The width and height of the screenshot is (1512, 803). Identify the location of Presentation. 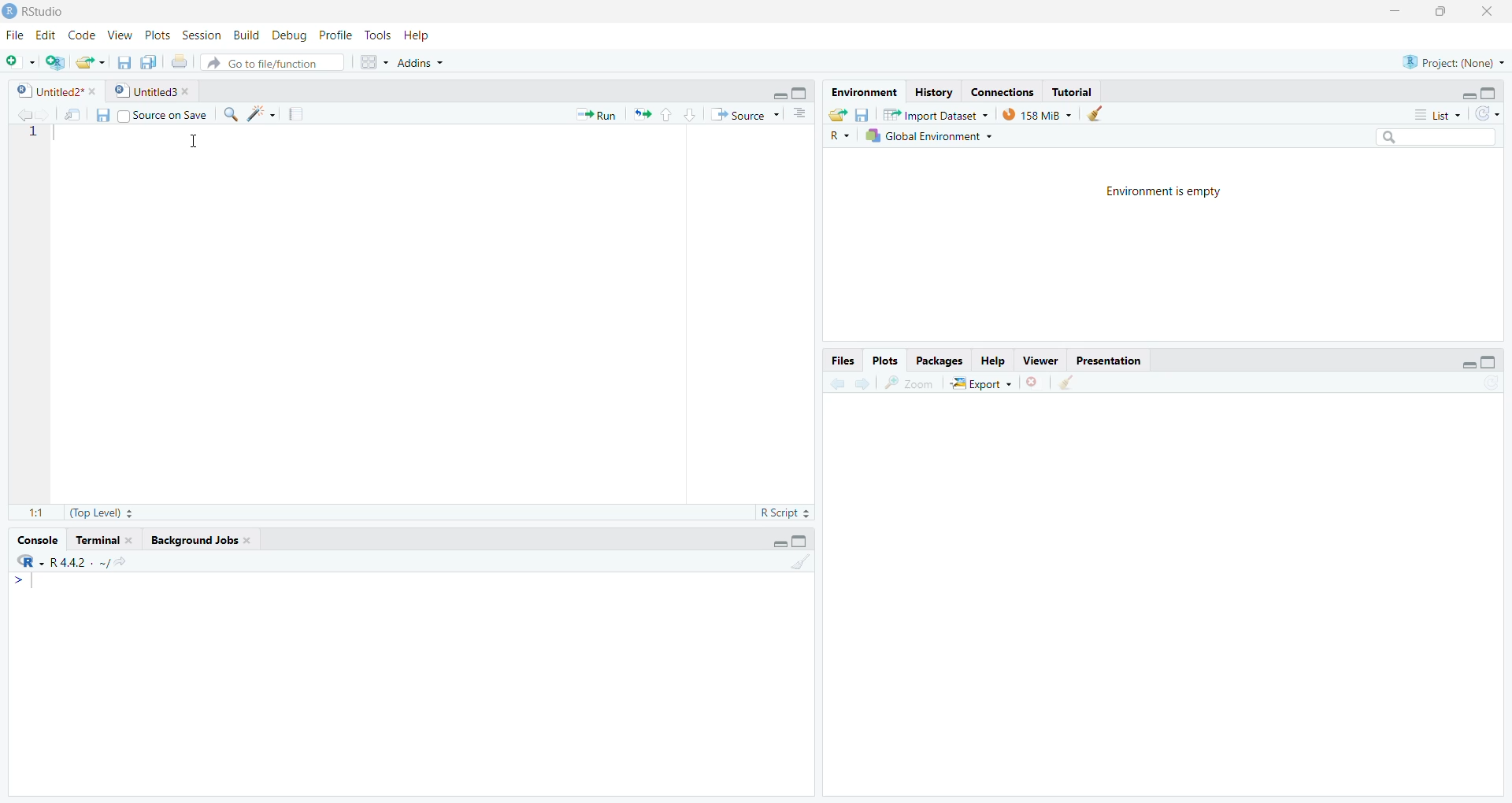
(1116, 360).